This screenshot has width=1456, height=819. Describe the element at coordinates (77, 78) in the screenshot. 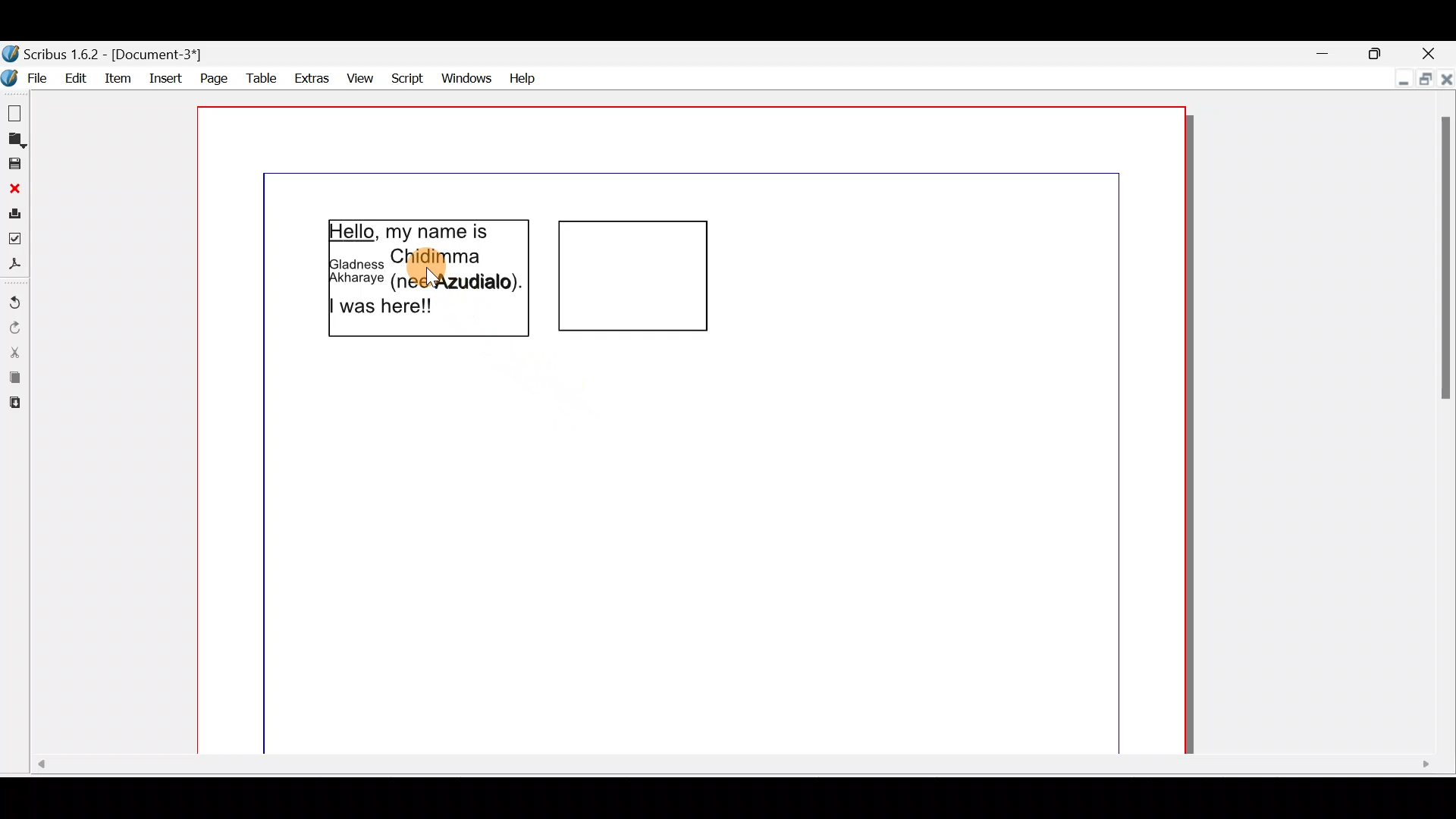

I see `Edit` at that location.